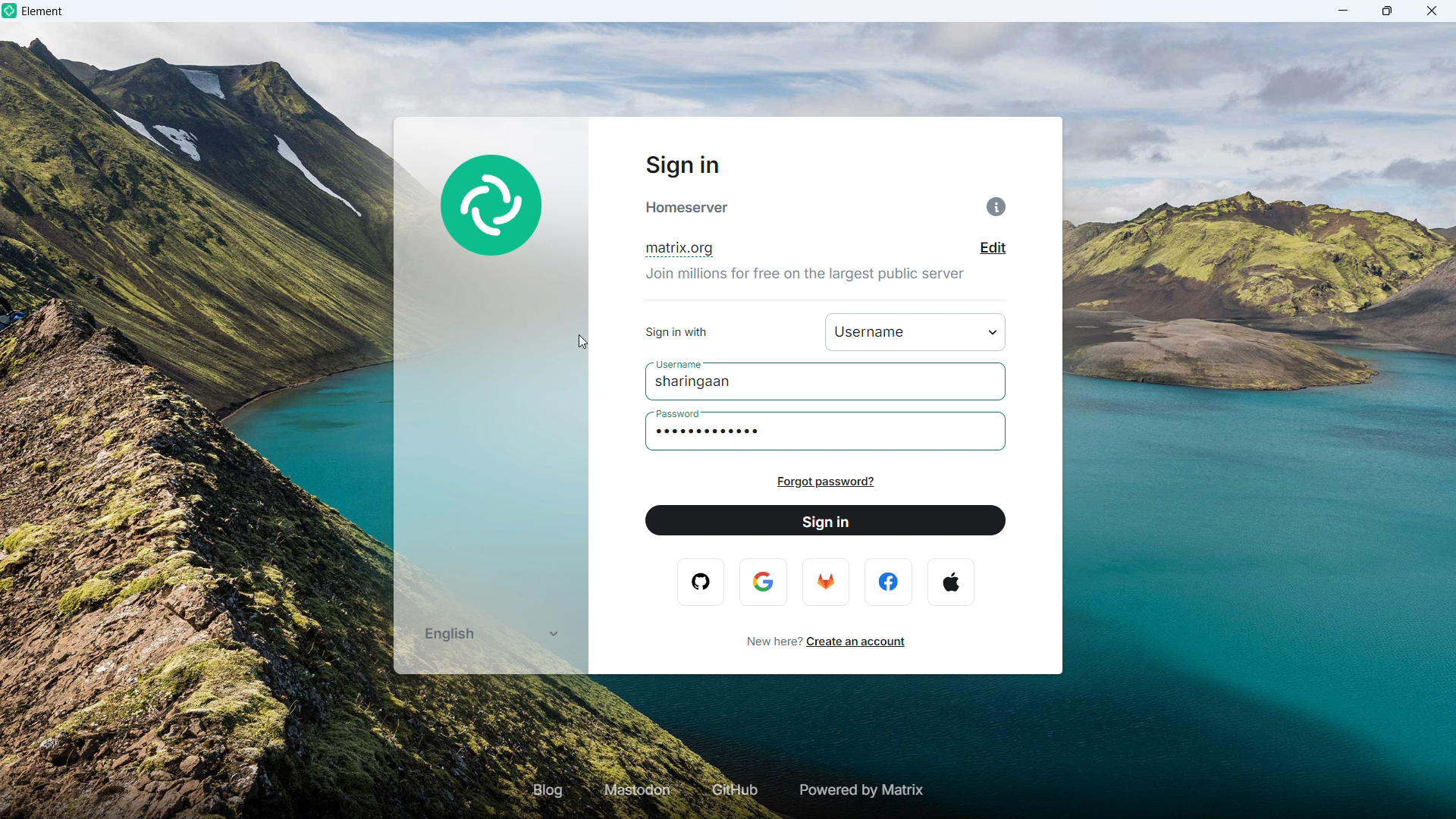  I want to click on Domain name , so click(678, 250).